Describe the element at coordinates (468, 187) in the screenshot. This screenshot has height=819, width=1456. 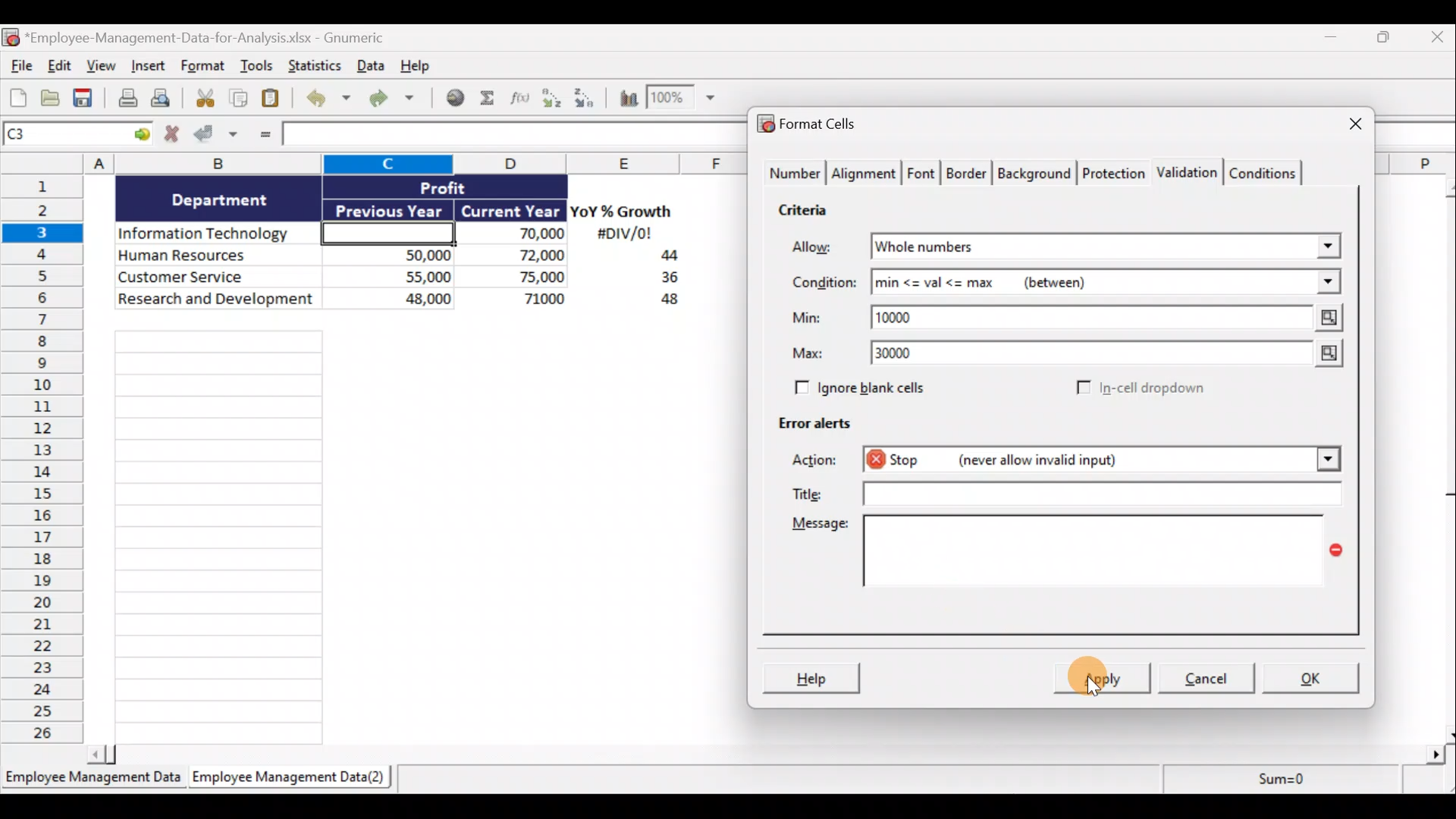
I see `Profit` at that location.